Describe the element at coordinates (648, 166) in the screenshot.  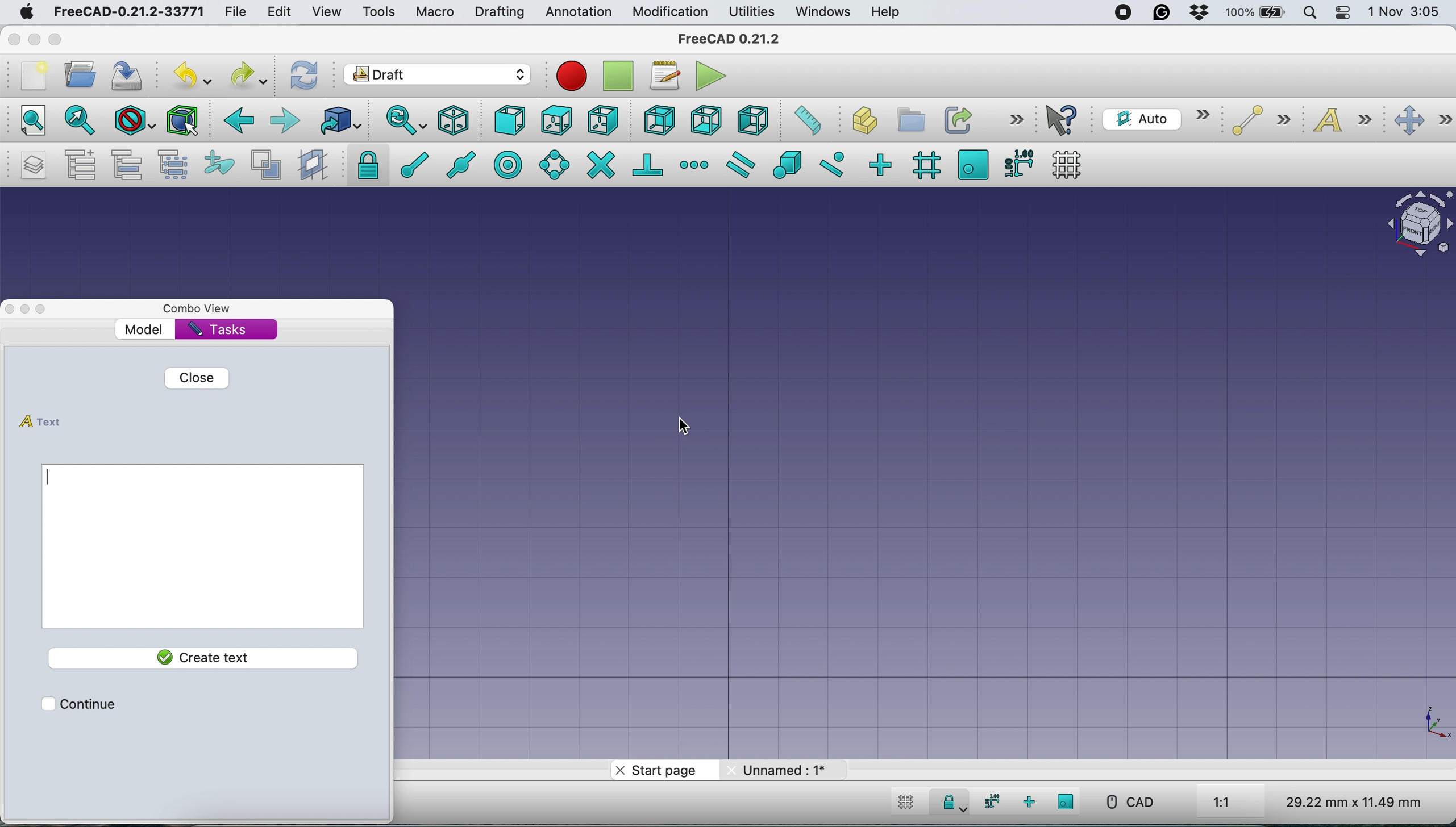
I see `snap perpendiculat` at that location.